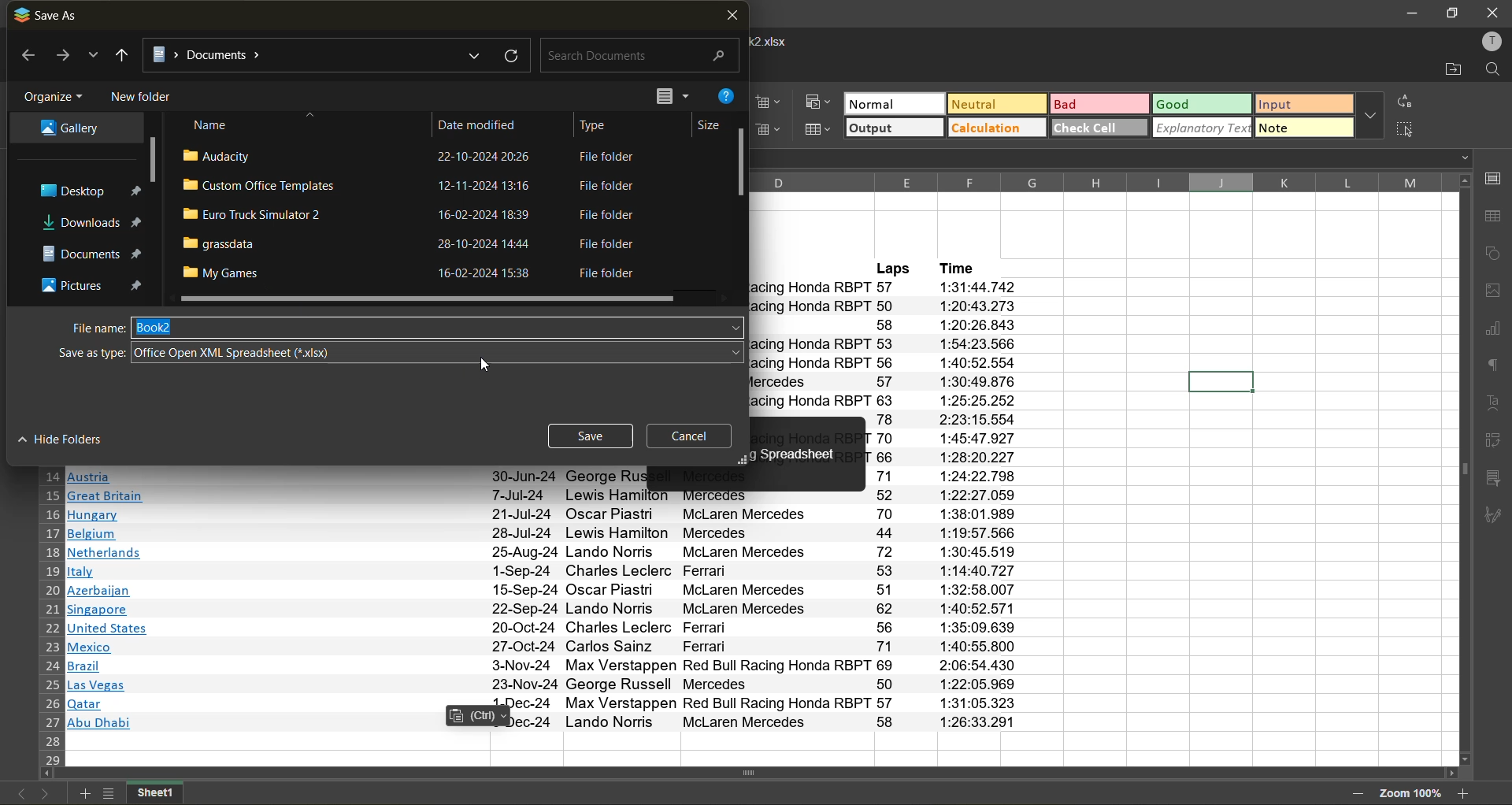 The height and width of the screenshot is (805, 1512). What do you see at coordinates (542, 515) in the screenshot?
I see `text info` at bounding box center [542, 515].